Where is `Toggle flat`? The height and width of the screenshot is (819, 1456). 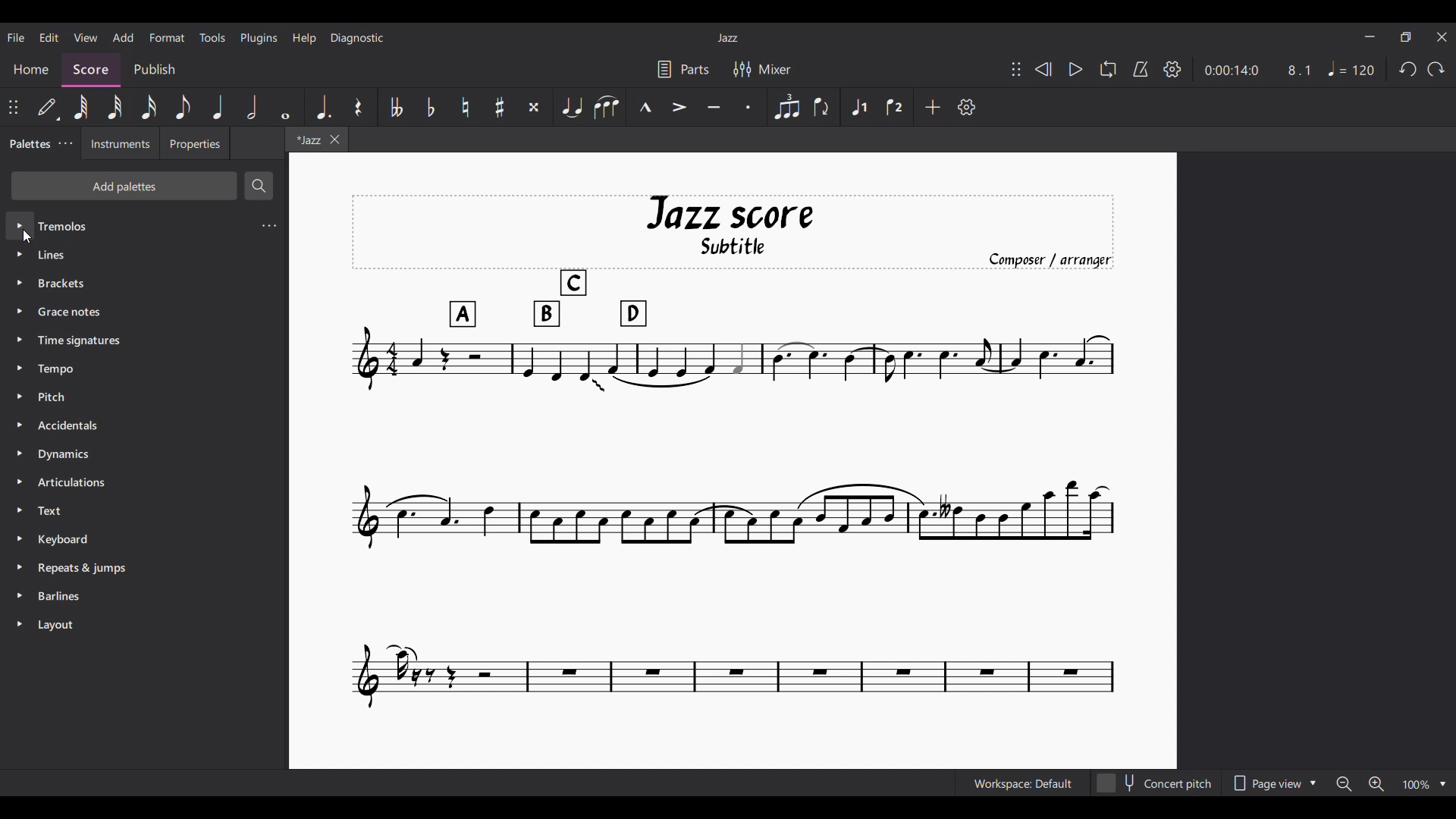 Toggle flat is located at coordinates (431, 107).